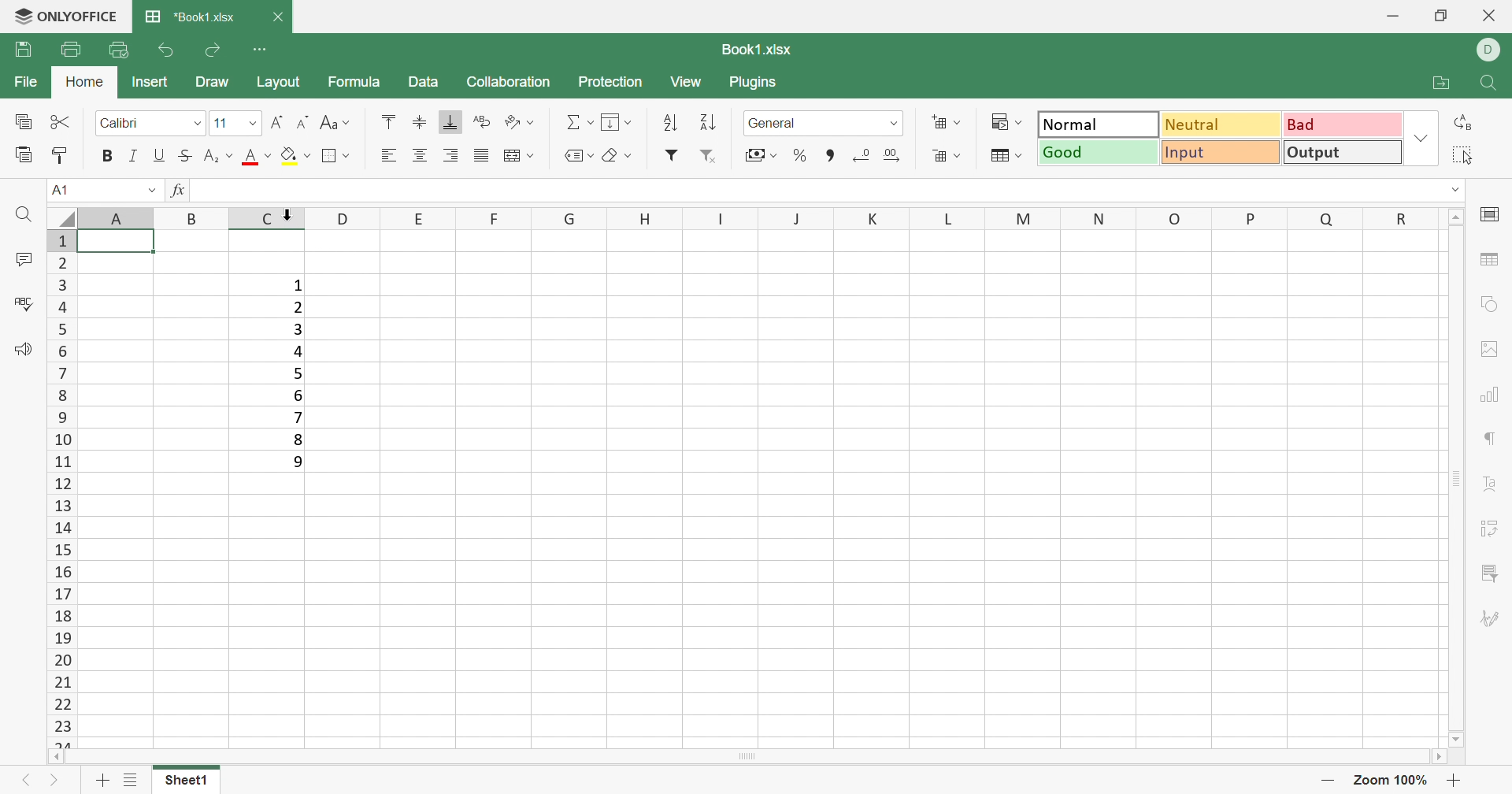 The height and width of the screenshot is (794, 1512). Describe the element at coordinates (264, 50) in the screenshot. I see `Customize quick access toolbar` at that location.